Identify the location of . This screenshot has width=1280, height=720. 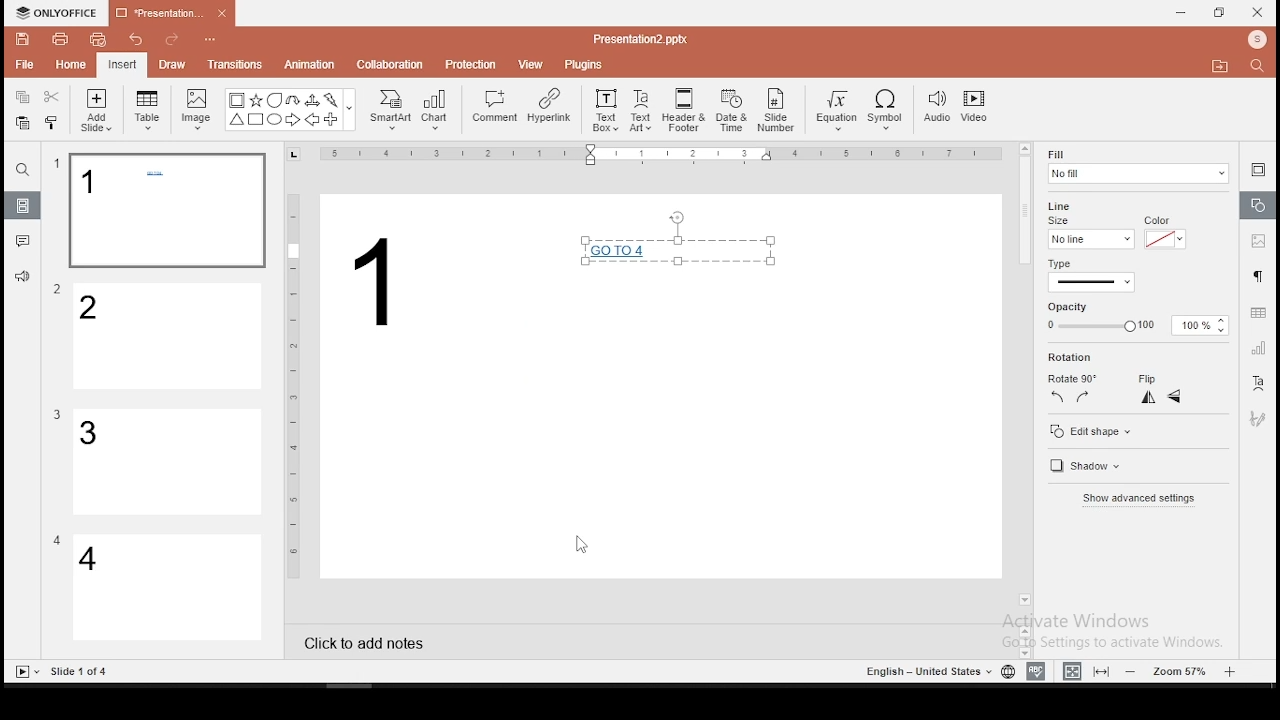
(57, 164).